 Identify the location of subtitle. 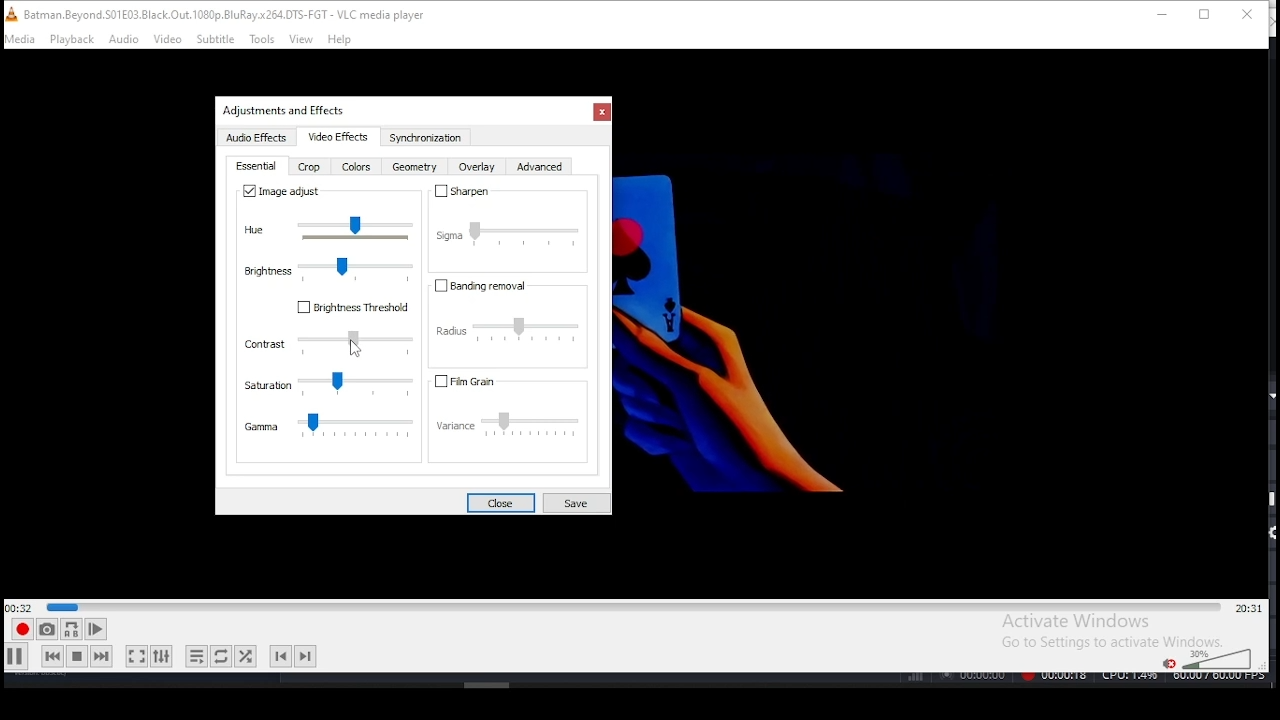
(216, 40).